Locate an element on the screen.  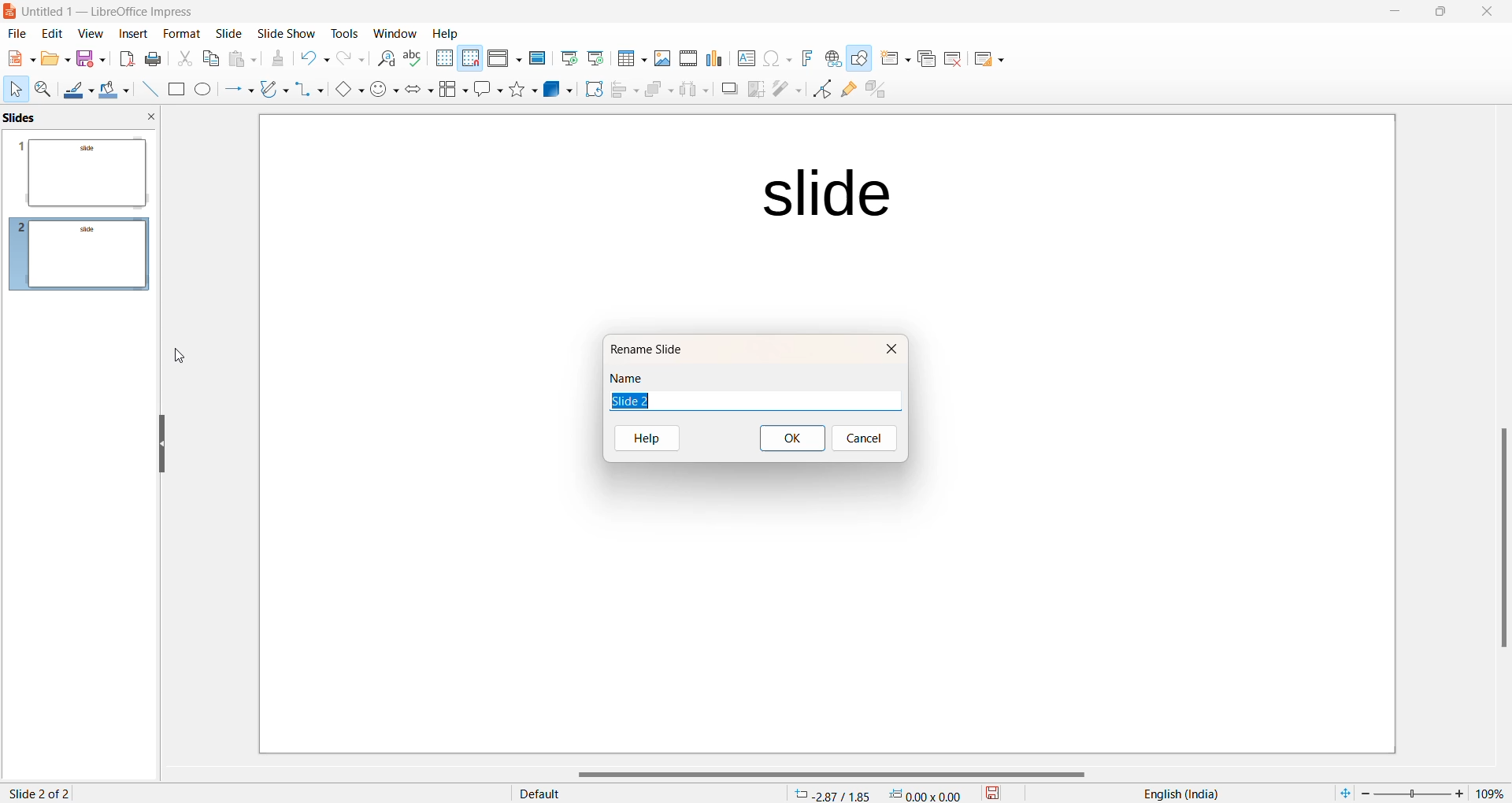
line and arrows is located at coordinates (235, 90).